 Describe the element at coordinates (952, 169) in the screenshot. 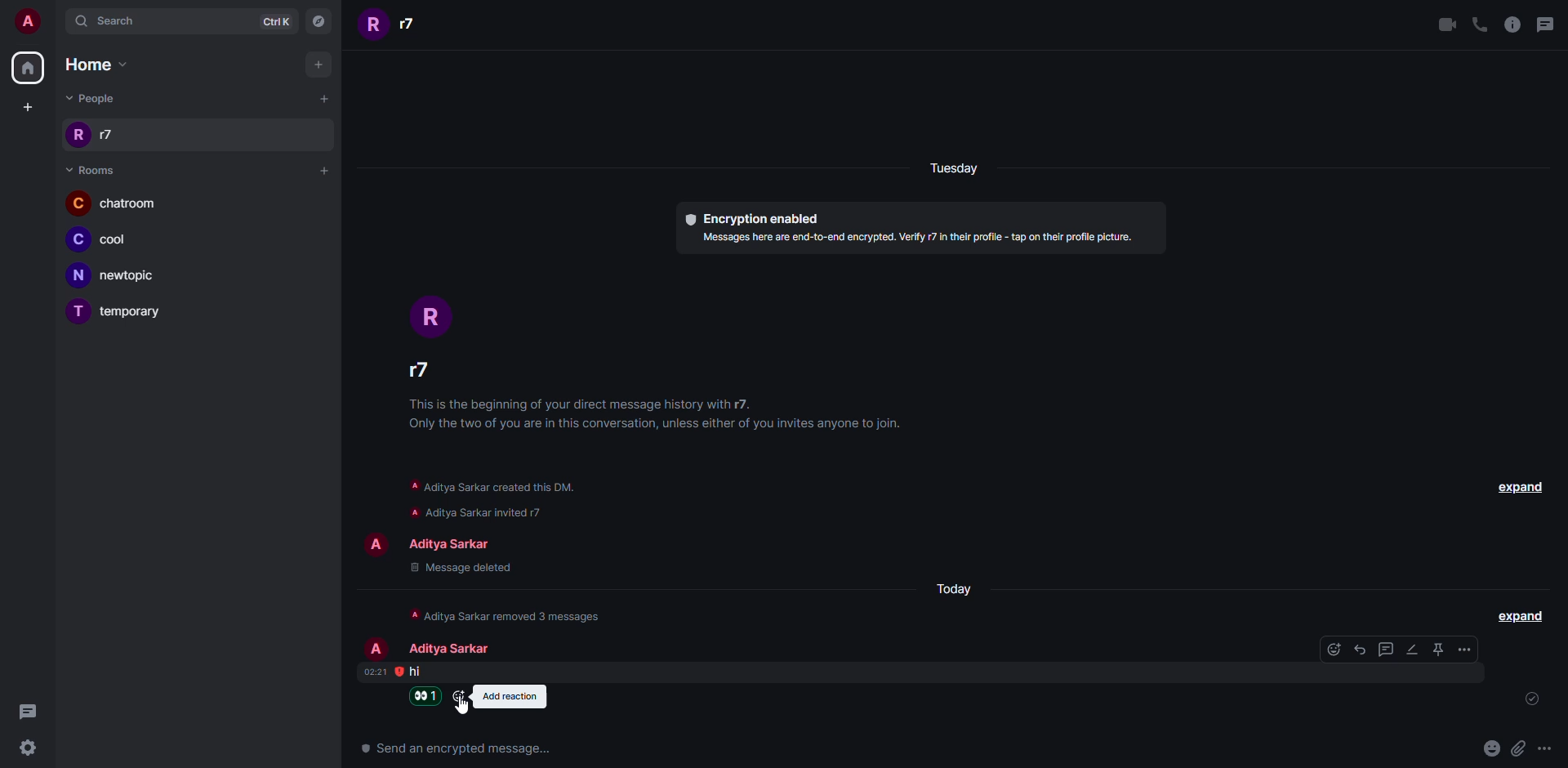

I see `day` at that location.